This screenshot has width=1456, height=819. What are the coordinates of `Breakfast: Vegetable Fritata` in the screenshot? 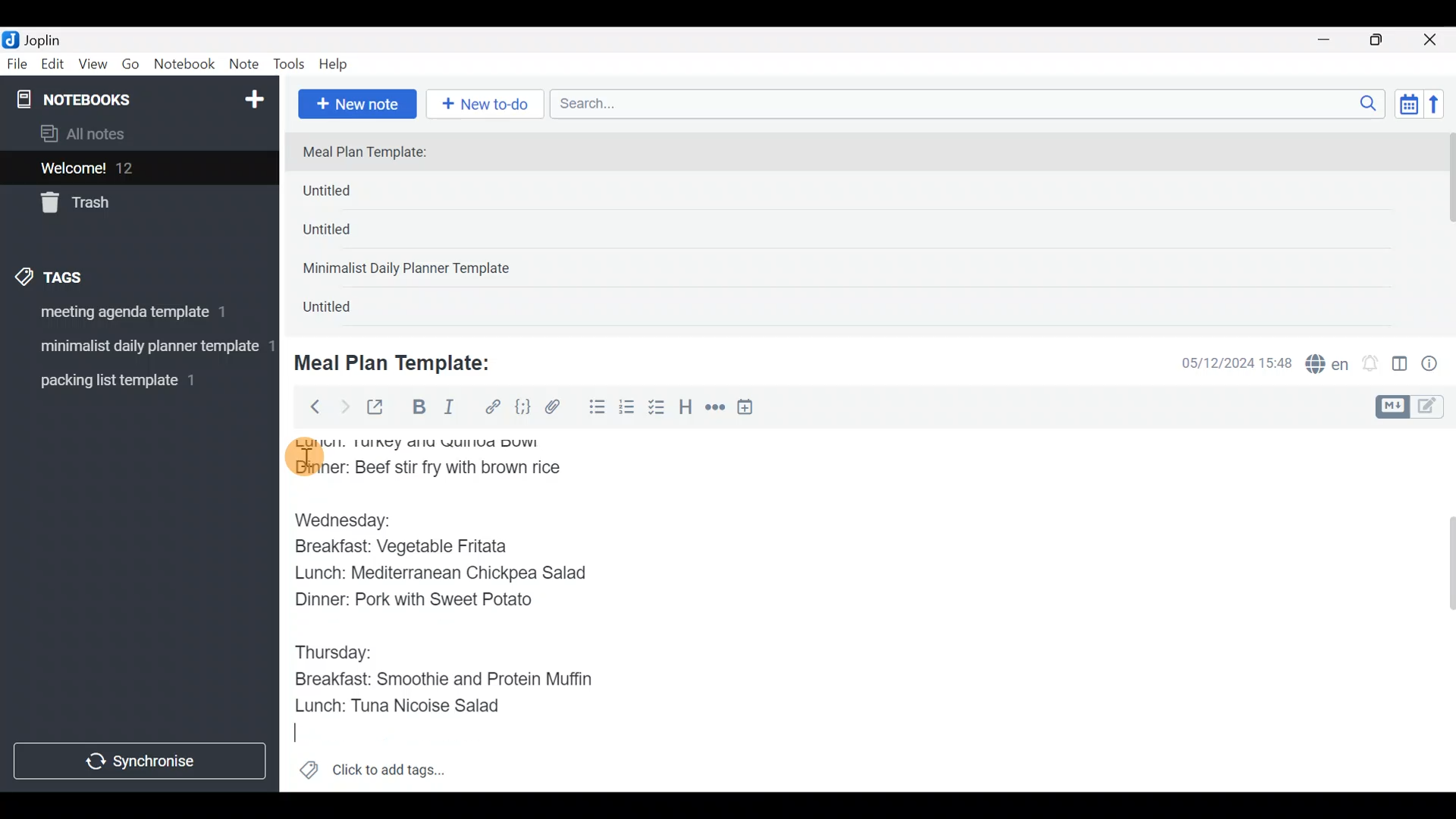 It's located at (415, 546).